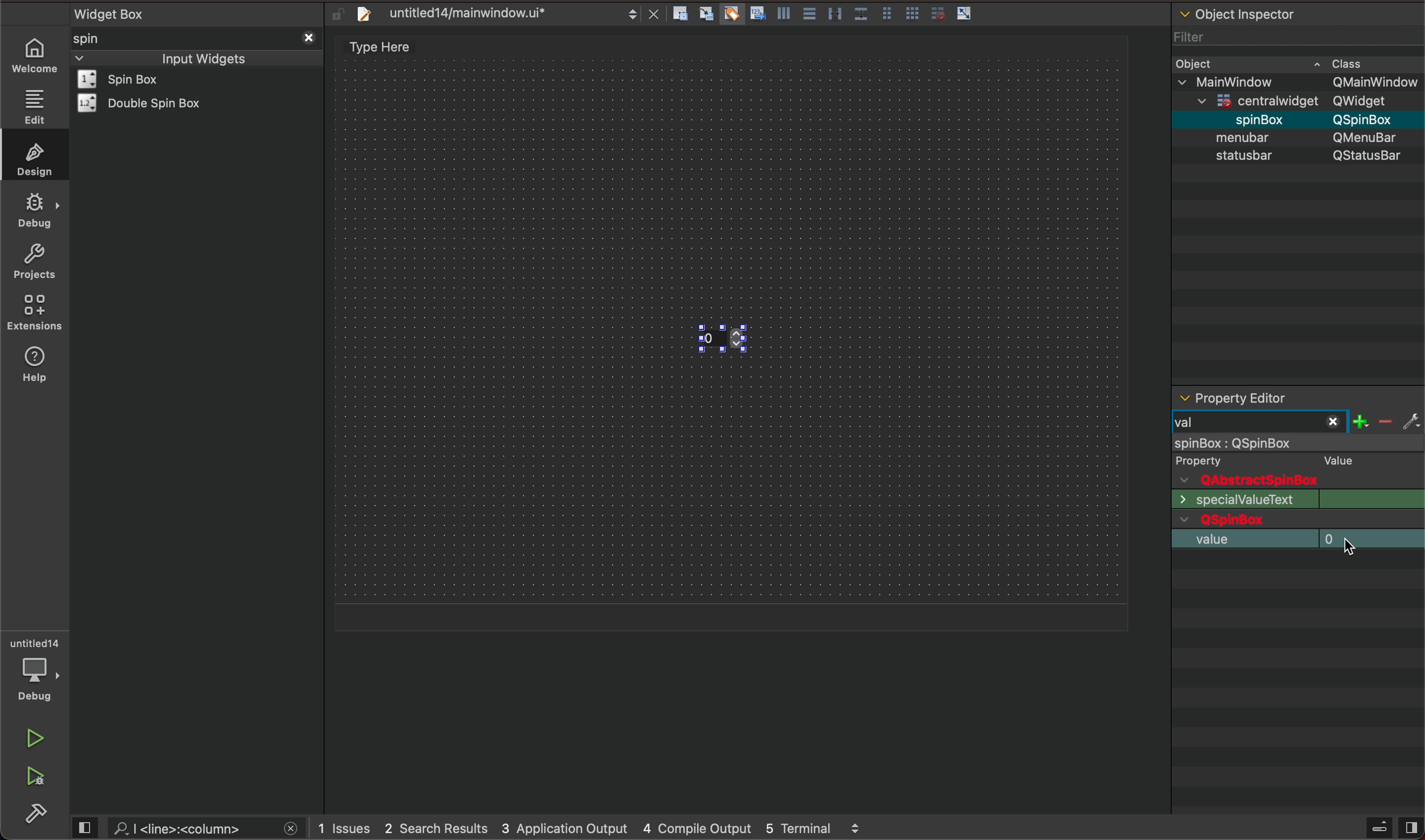 The image size is (1425, 840). What do you see at coordinates (1192, 33) in the screenshot?
I see `filter` at bounding box center [1192, 33].